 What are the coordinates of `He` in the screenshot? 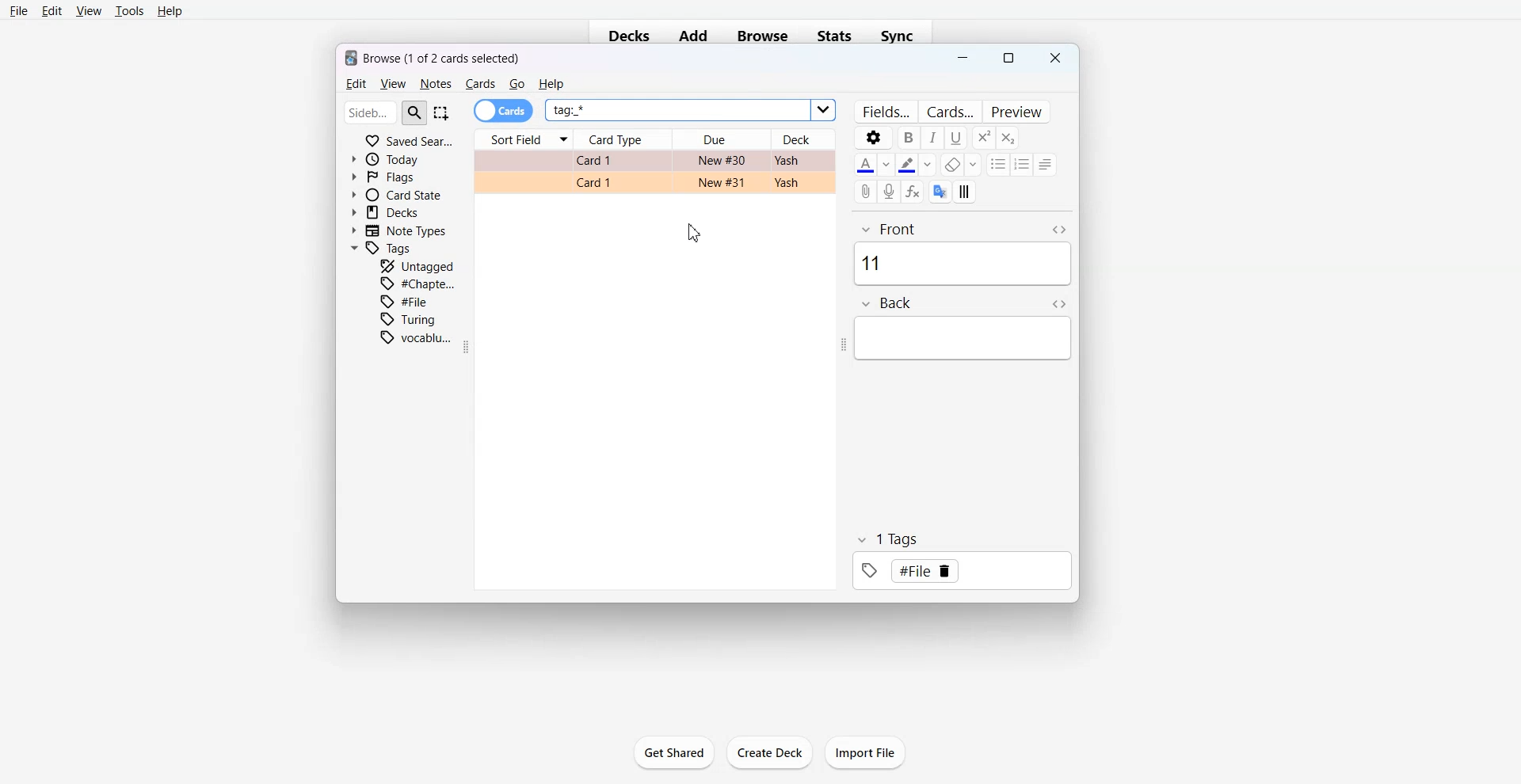 It's located at (551, 84).